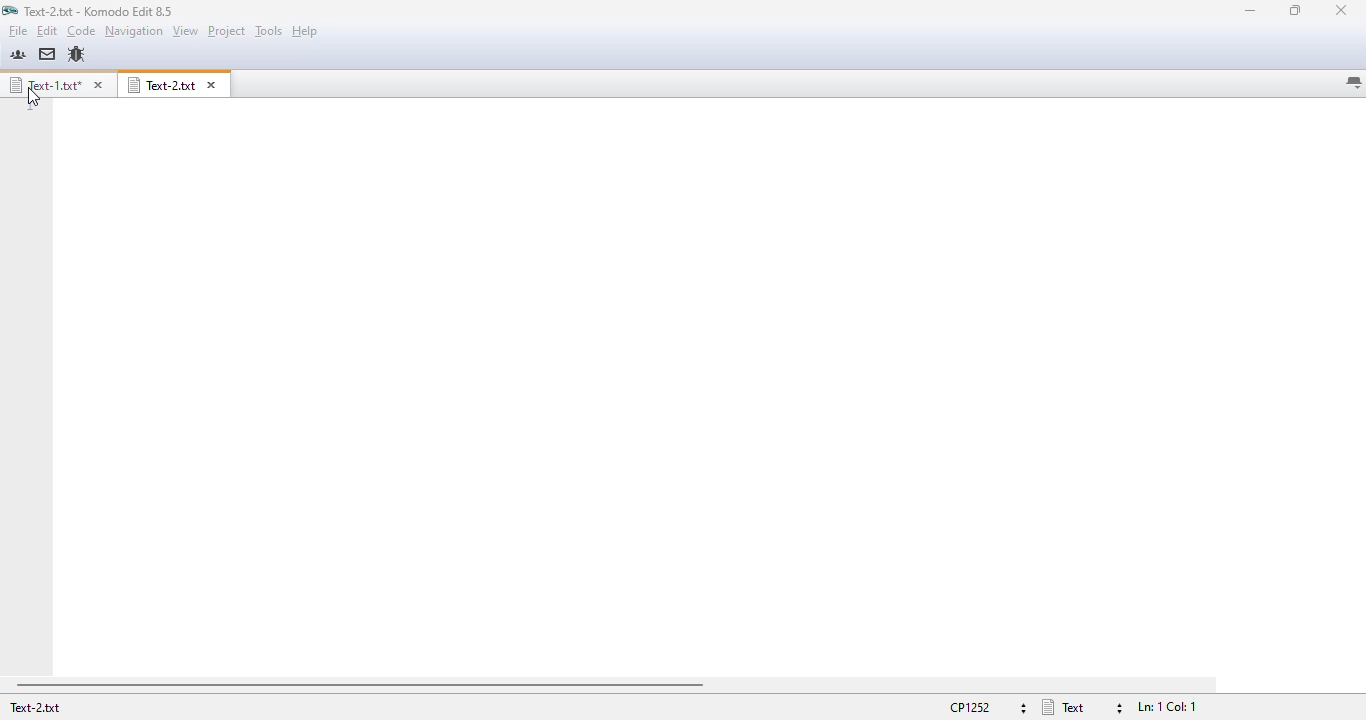 The image size is (1366, 720). What do you see at coordinates (1295, 10) in the screenshot?
I see `maximize` at bounding box center [1295, 10].